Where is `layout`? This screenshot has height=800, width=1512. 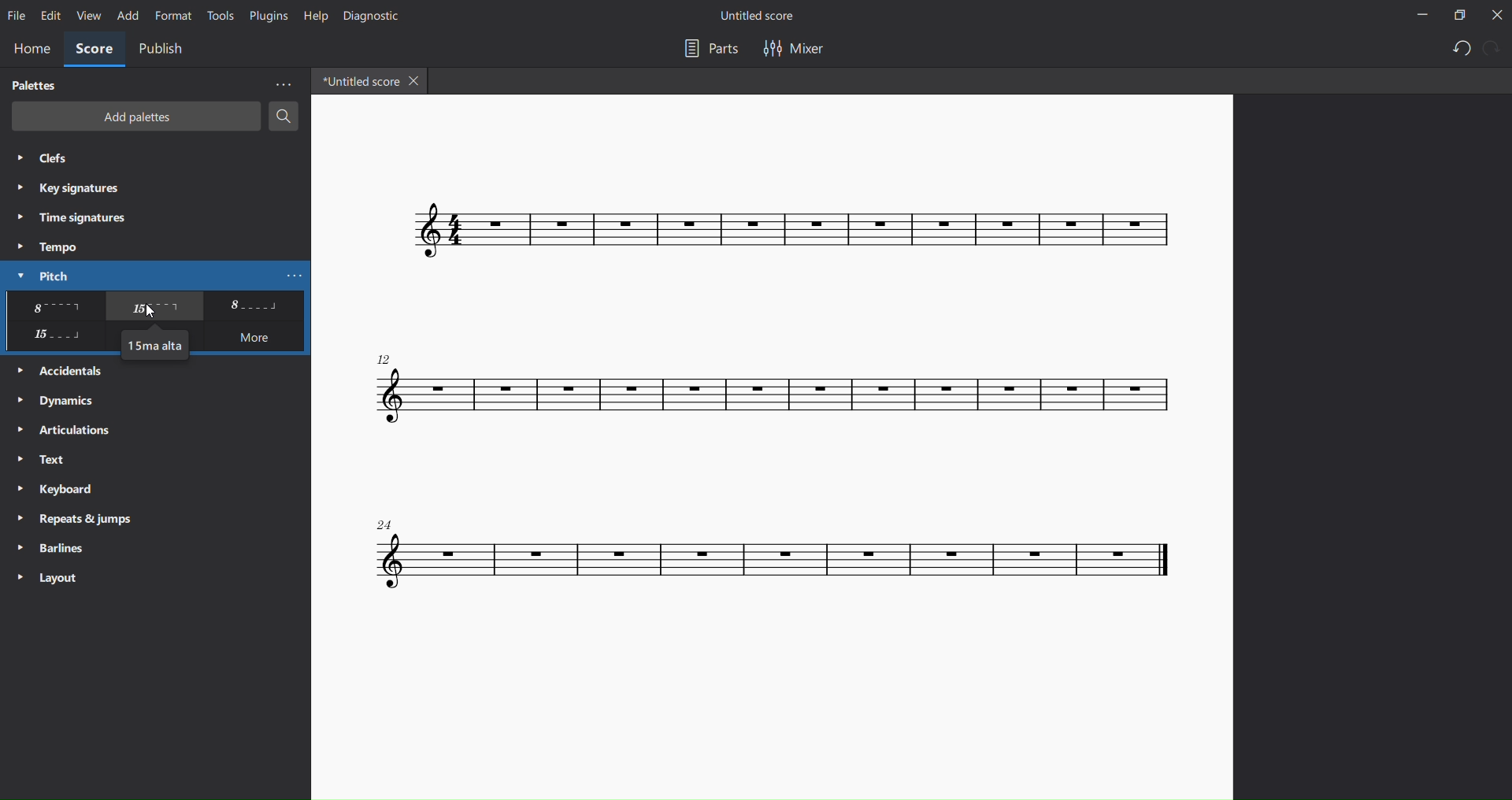 layout is located at coordinates (55, 576).